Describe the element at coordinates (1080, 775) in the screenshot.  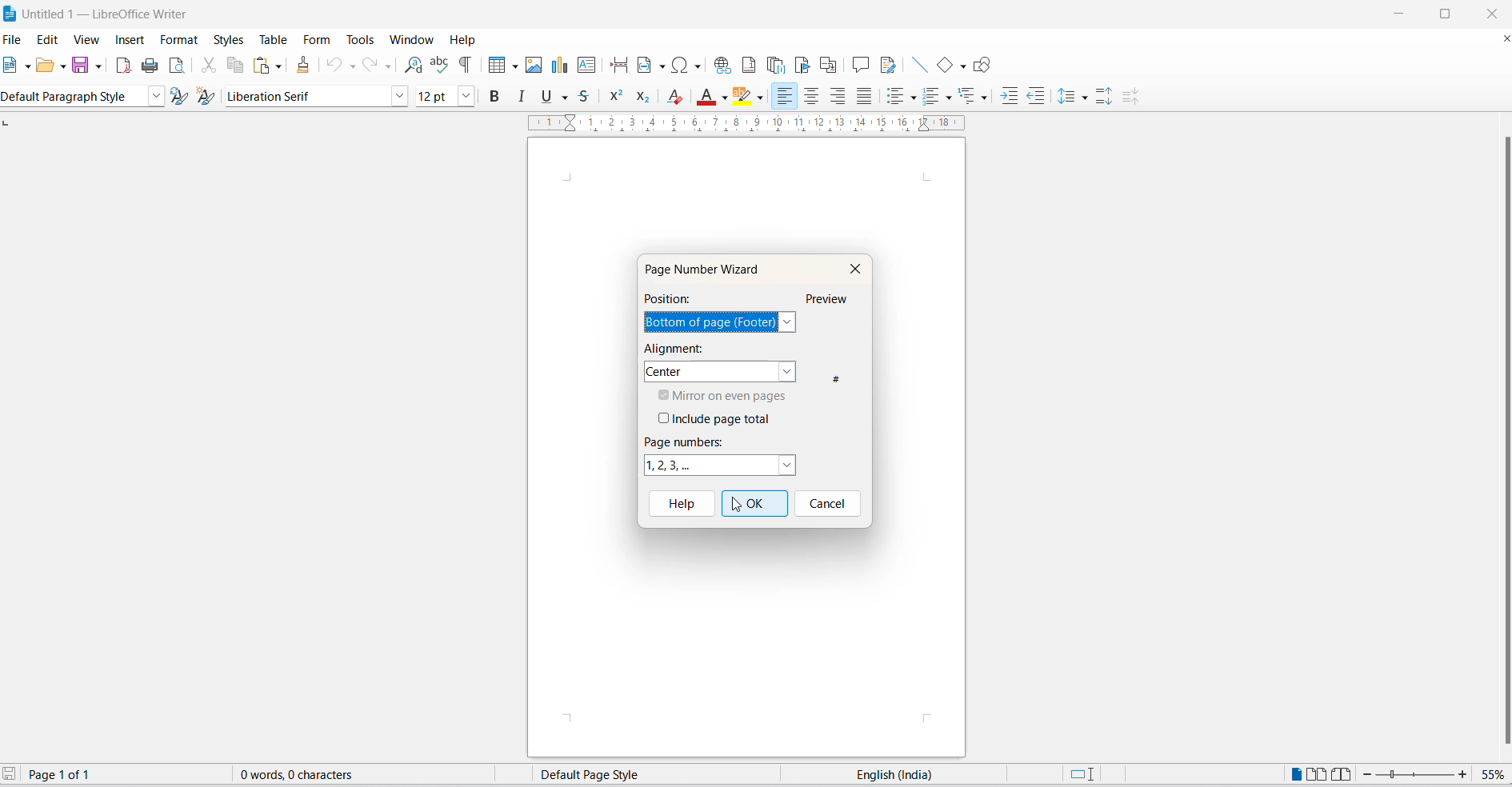
I see `selection style` at that location.